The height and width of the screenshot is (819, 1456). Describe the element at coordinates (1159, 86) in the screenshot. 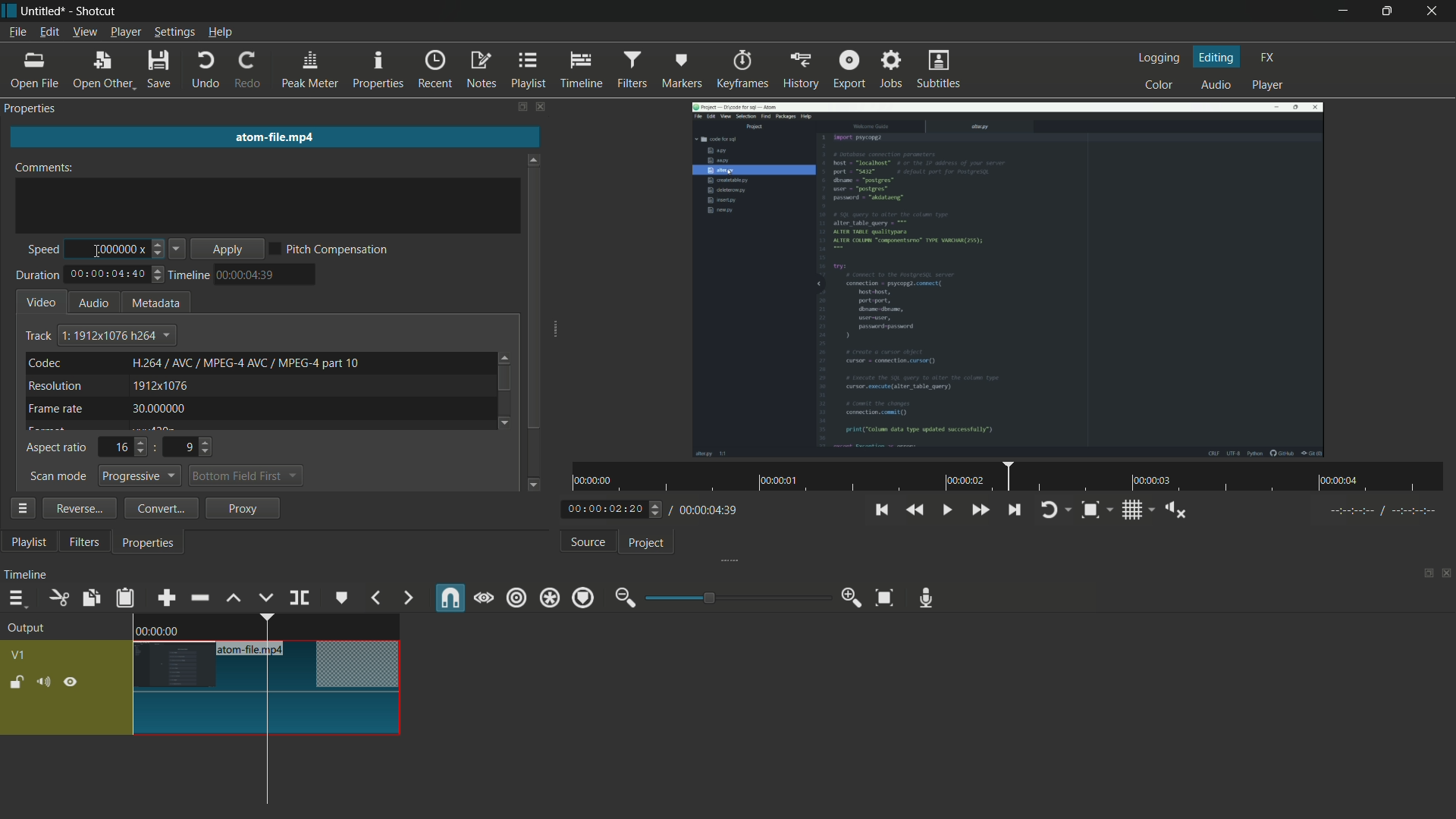

I see `color` at that location.